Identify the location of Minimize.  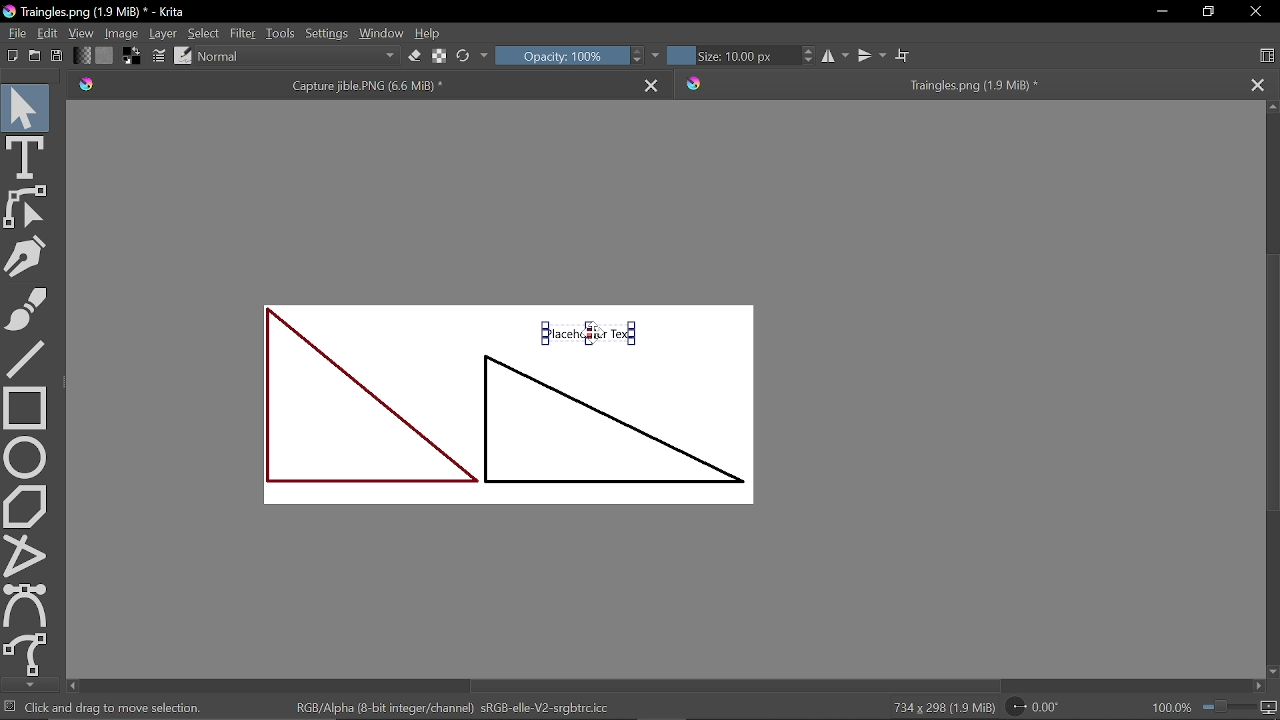
(1164, 11).